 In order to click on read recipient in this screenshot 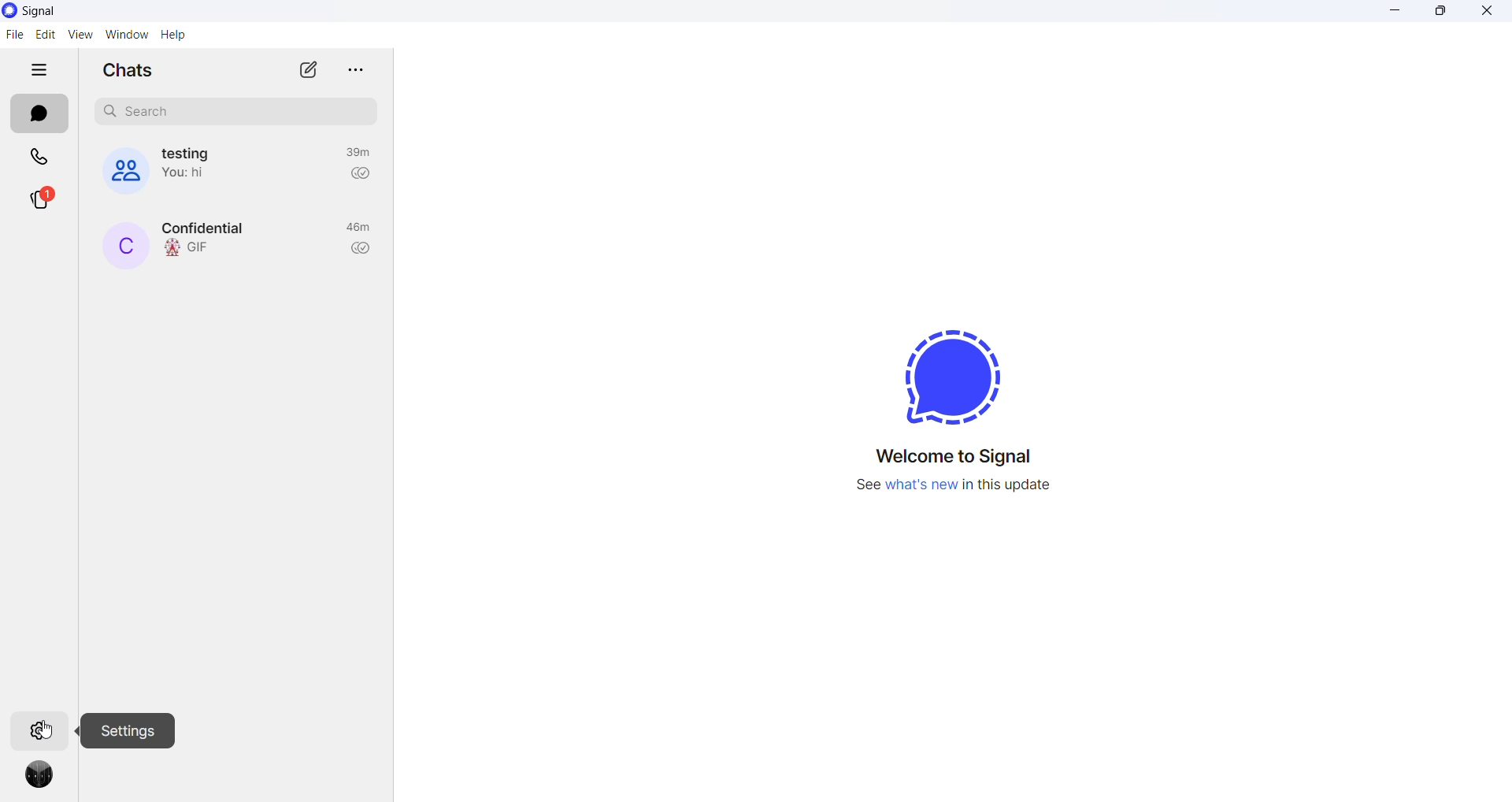, I will do `click(362, 250)`.